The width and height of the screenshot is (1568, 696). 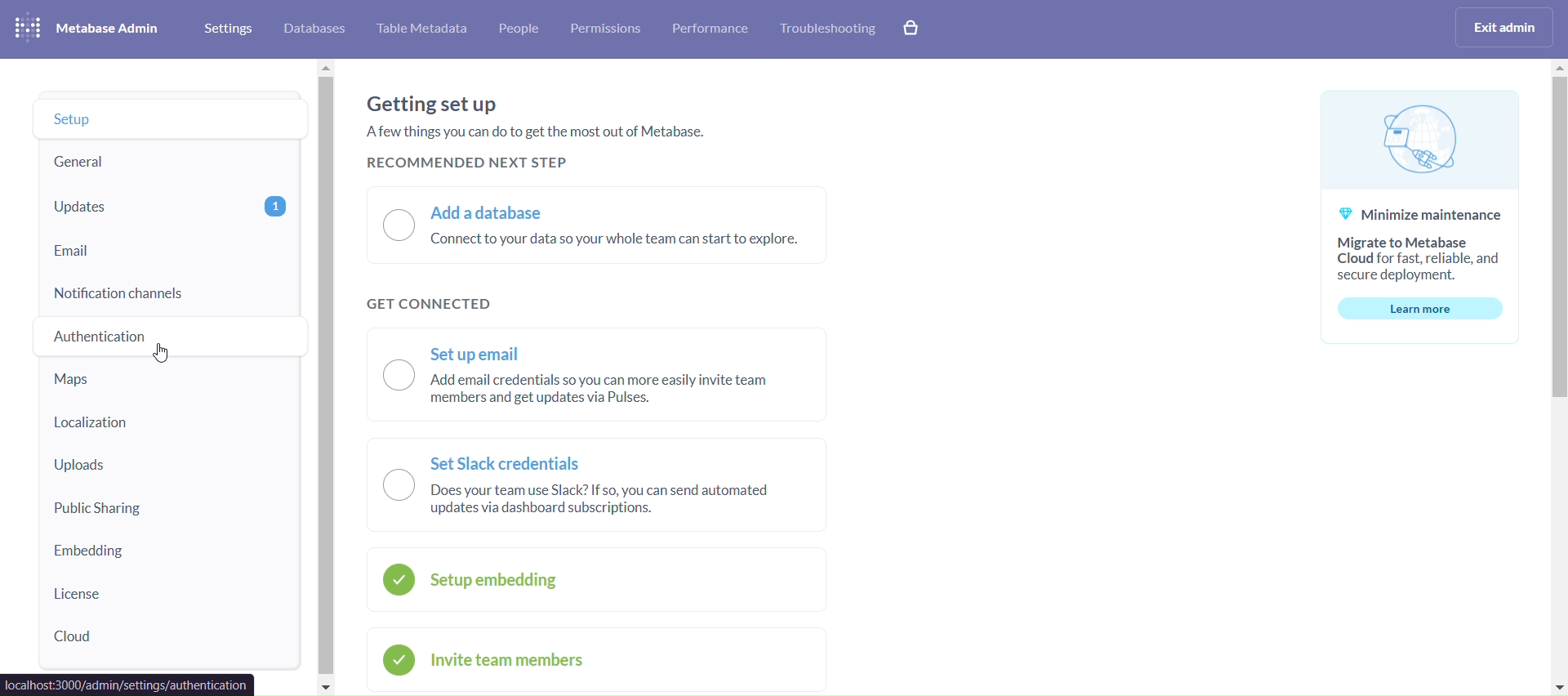 I want to click on database, so click(x=317, y=29).